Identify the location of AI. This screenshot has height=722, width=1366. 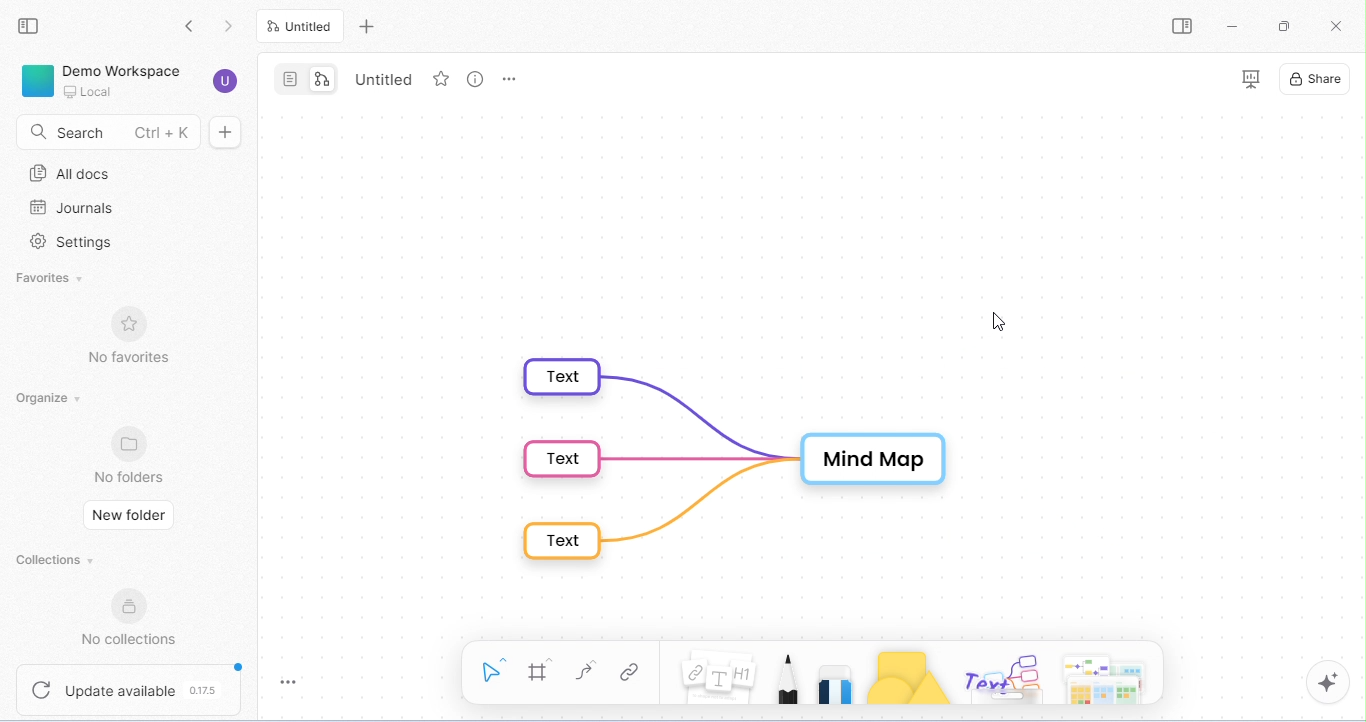
(1328, 683).